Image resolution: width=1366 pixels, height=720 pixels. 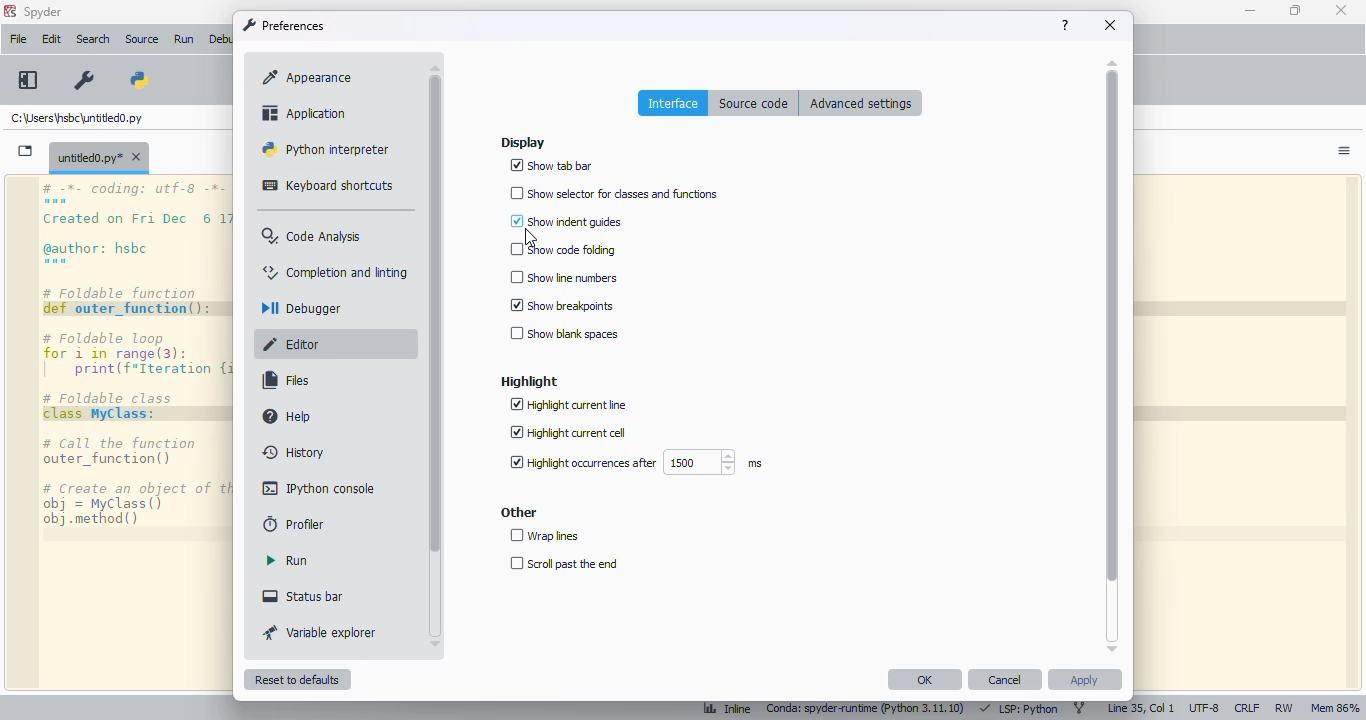 I want to click on wrap lines, so click(x=545, y=536).